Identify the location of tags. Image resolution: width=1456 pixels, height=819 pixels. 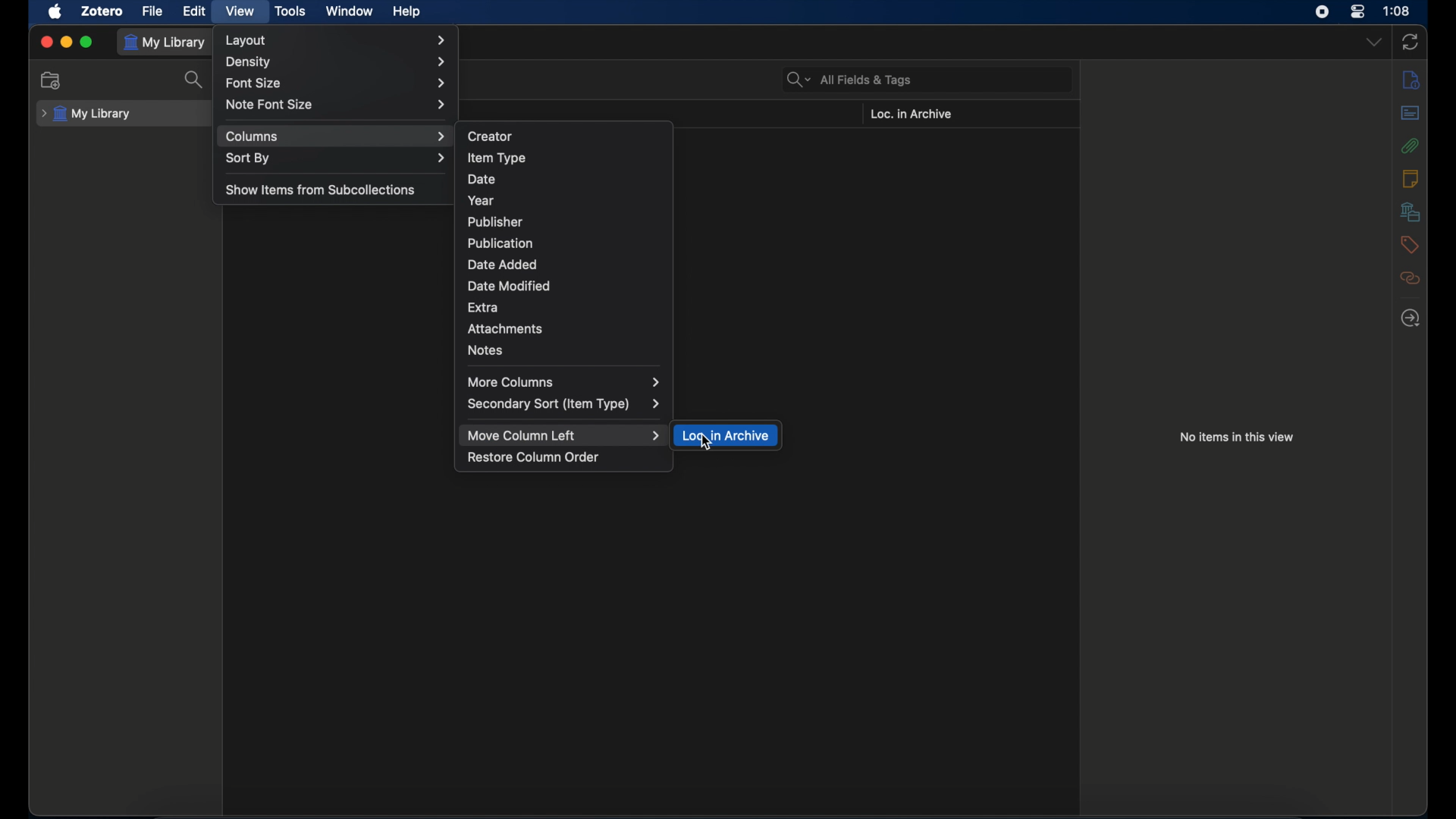
(1409, 245).